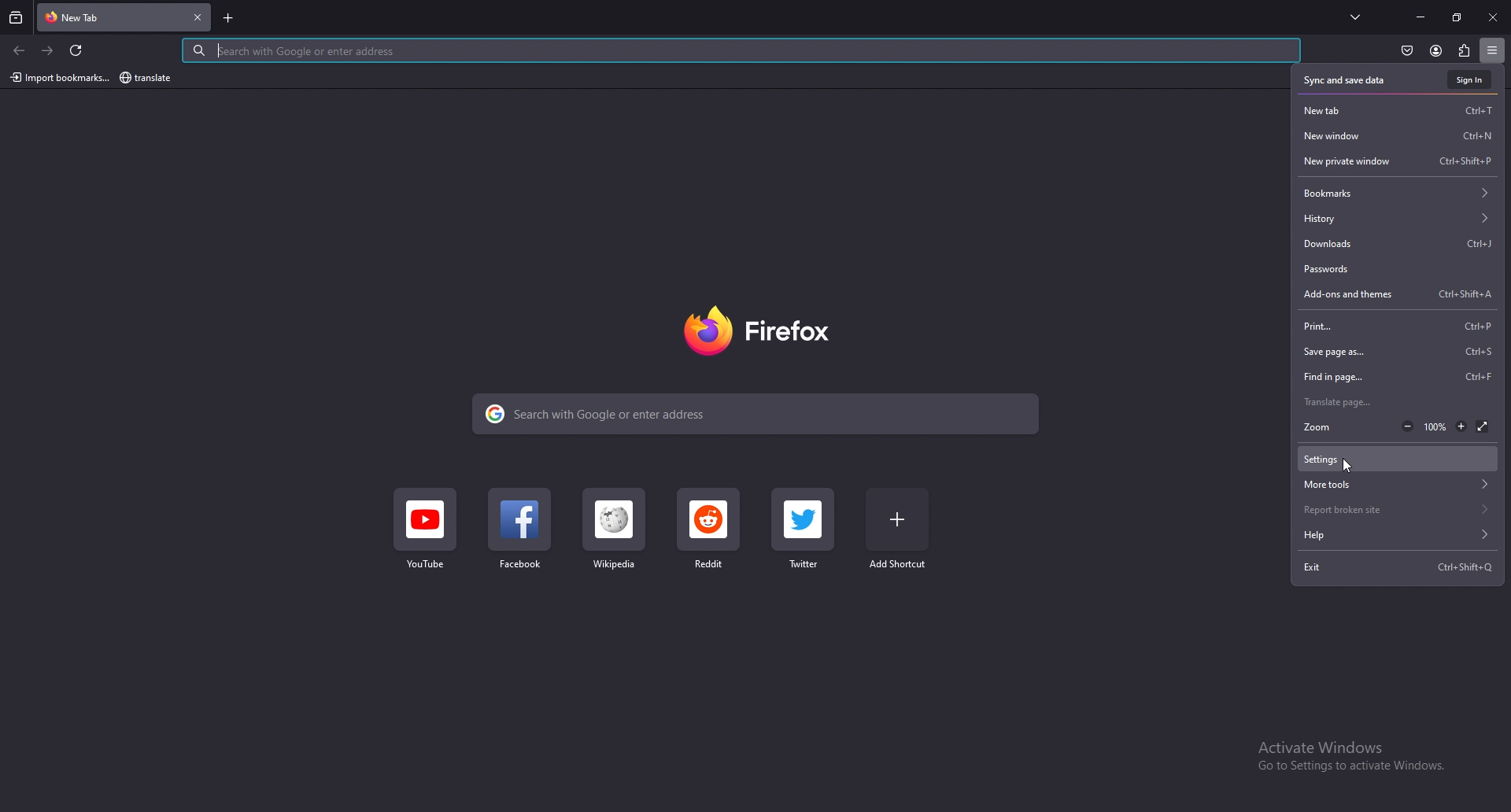 The height and width of the screenshot is (812, 1511). What do you see at coordinates (759, 414) in the screenshot?
I see `search bar` at bounding box center [759, 414].